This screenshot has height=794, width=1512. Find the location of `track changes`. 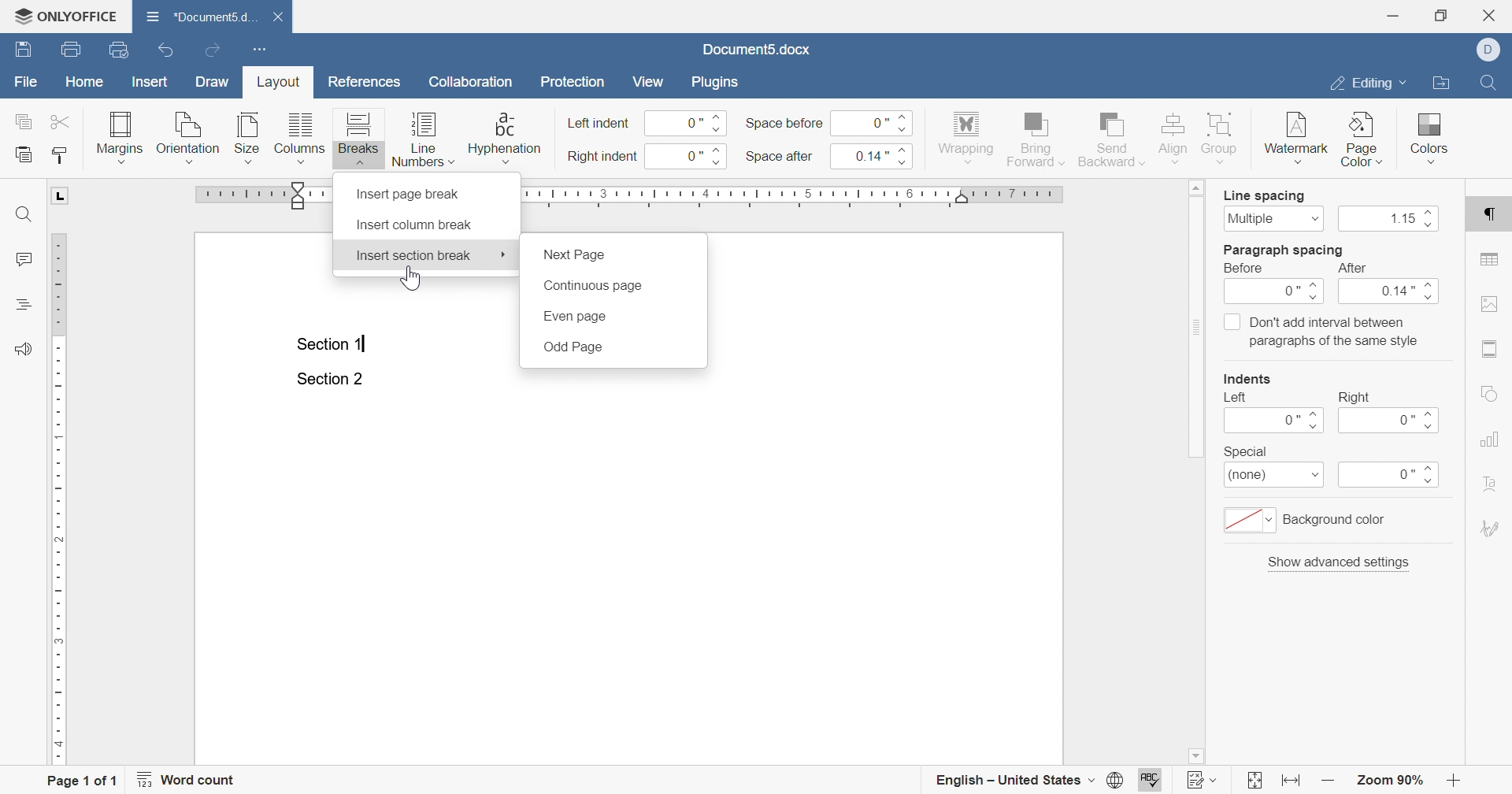

track changes is located at coordinates (1203, 779).